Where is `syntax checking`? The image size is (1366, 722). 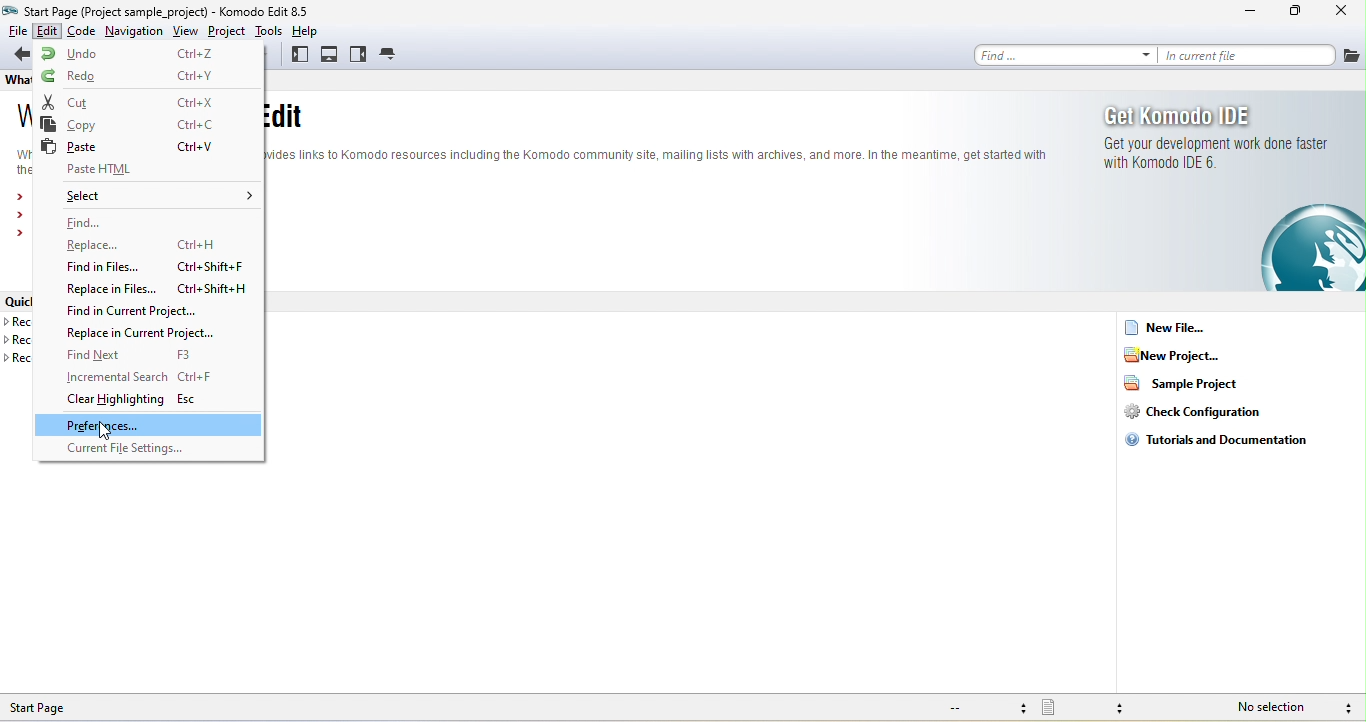
syntax checking is located at coordinates (1346, 707).